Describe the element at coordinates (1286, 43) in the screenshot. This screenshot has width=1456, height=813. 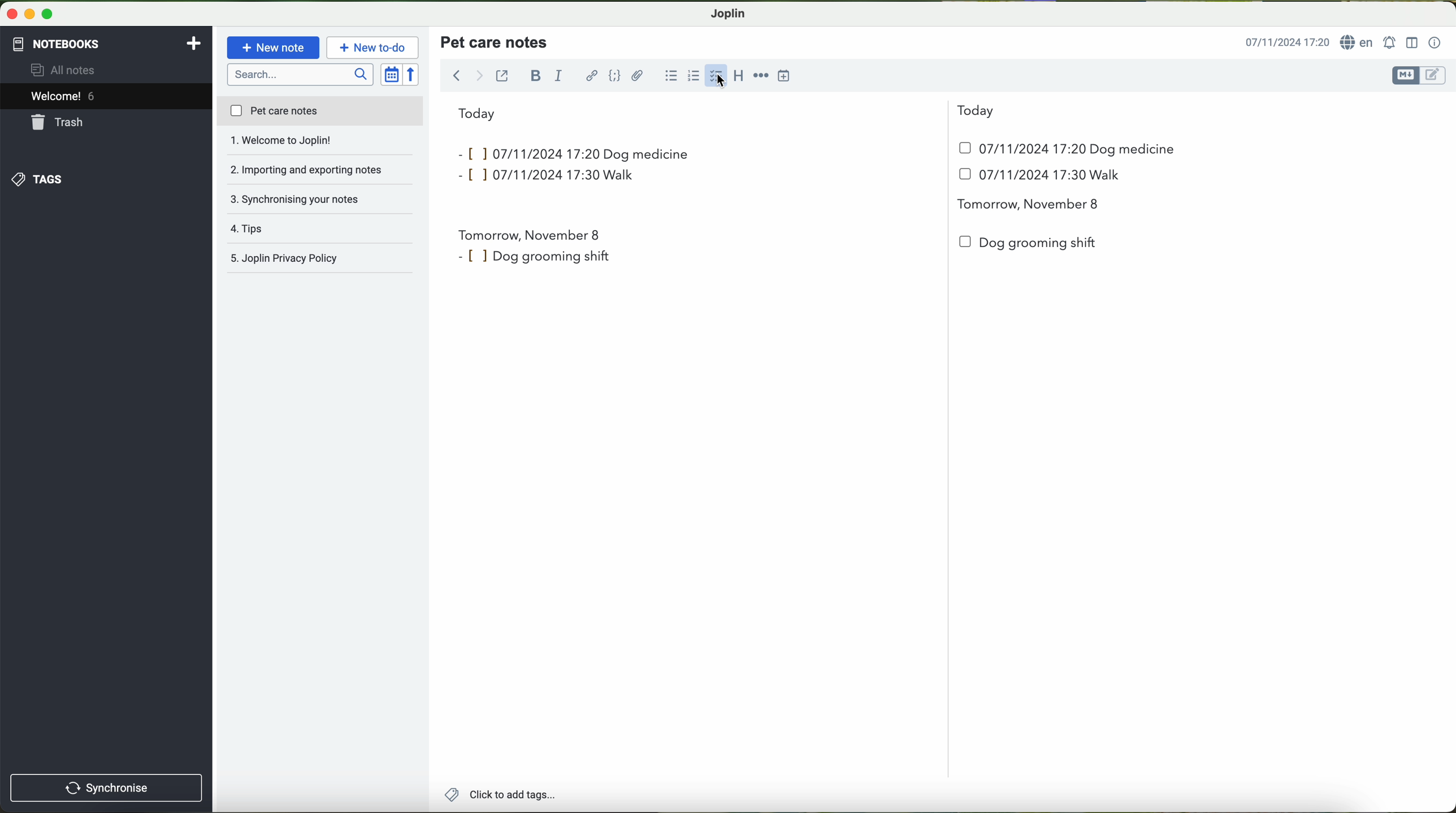
I see `hour and date` at that location.